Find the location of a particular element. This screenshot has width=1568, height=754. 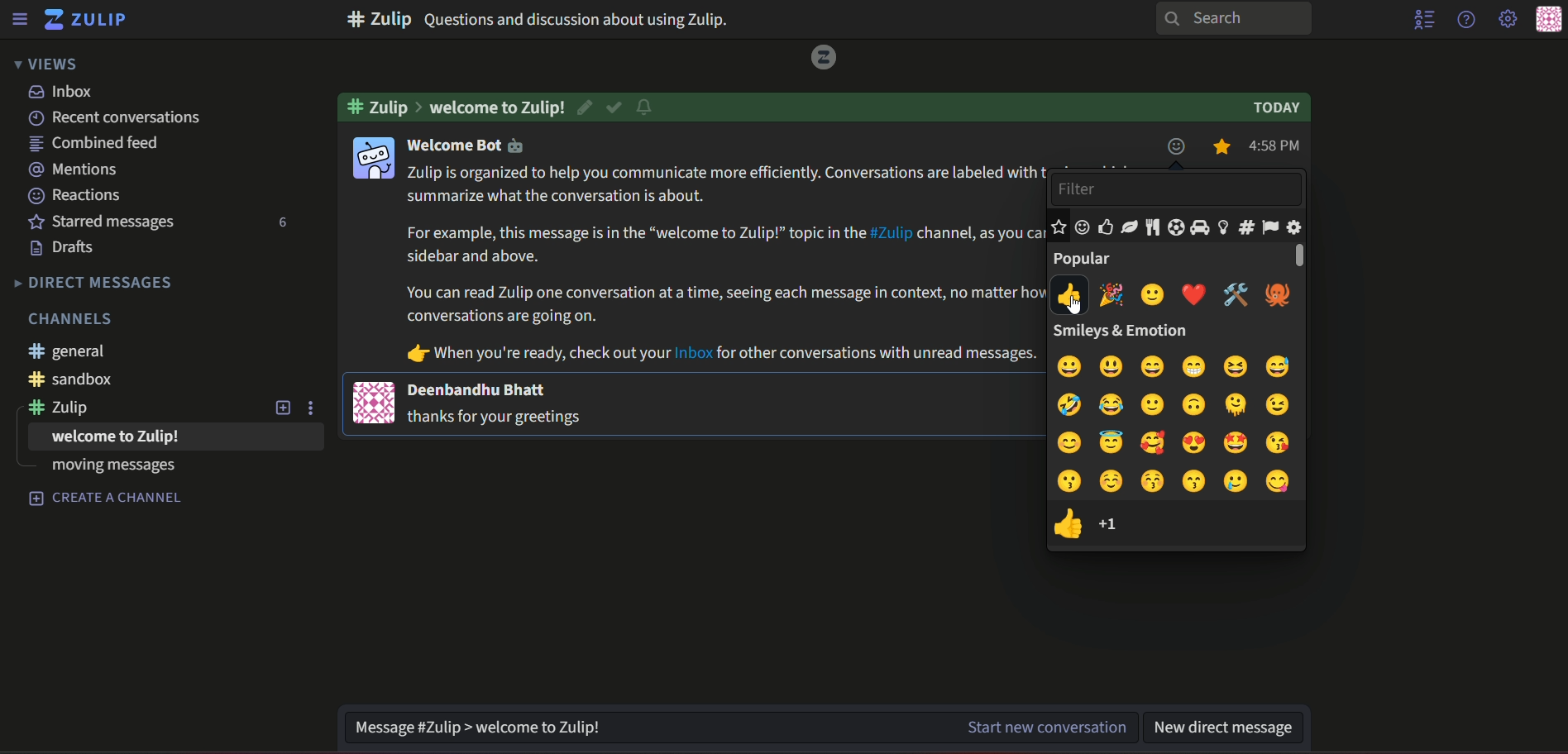

Filter is located at coordinates (1178, 188).